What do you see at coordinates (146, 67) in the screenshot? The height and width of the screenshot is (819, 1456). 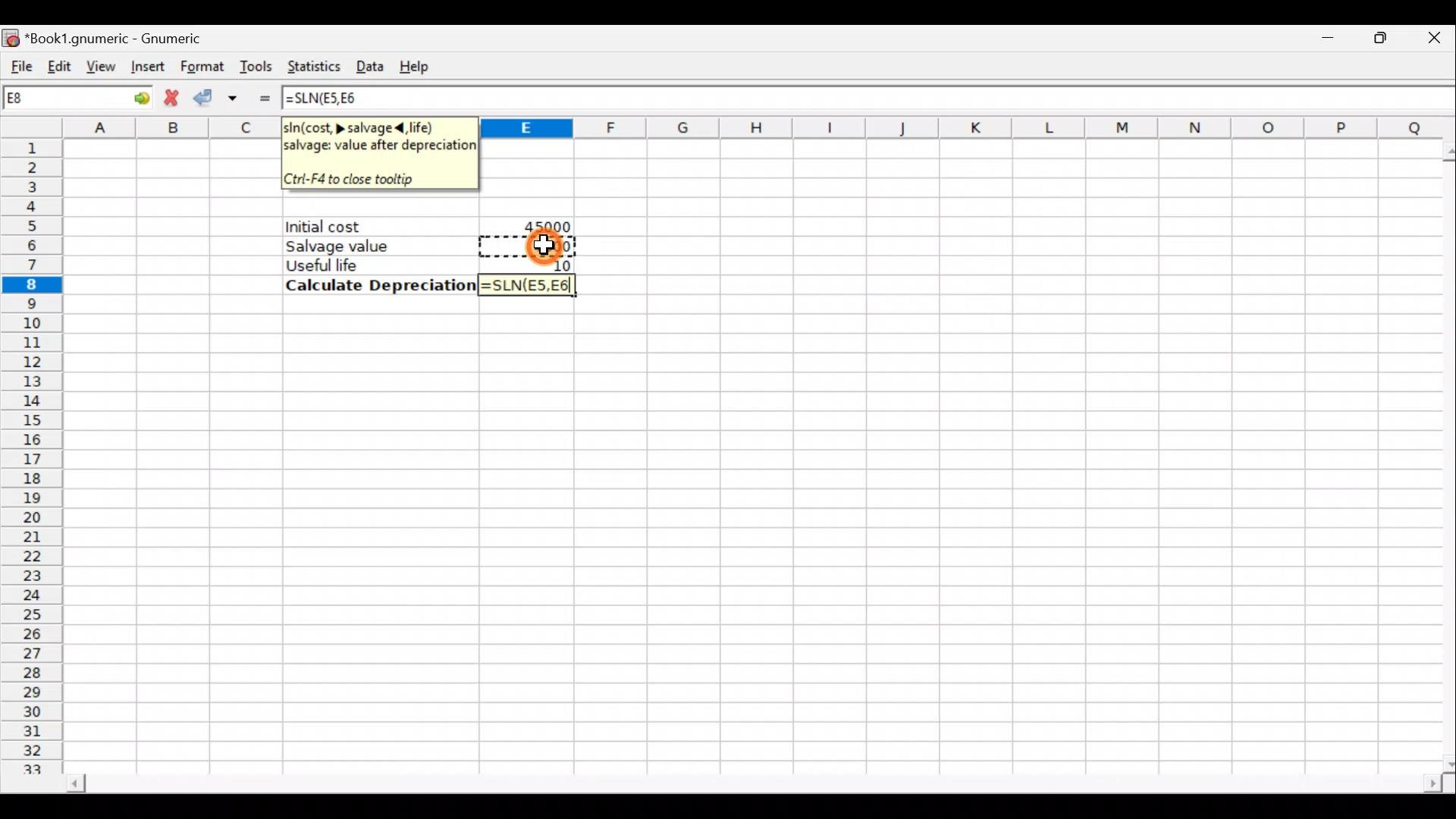 I see `Insert` at bounding box center [146, 67].